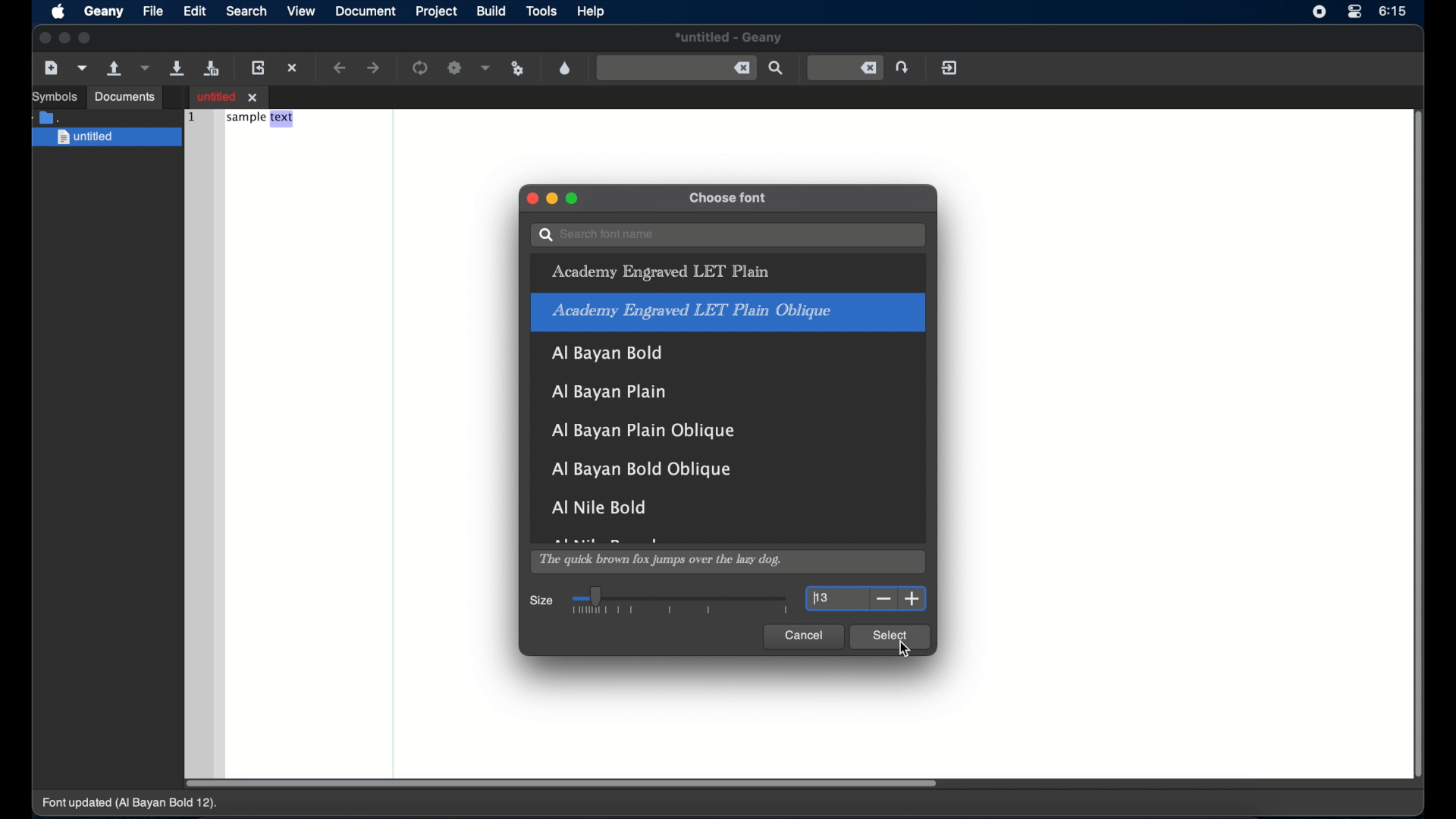 The image size is (1456, 819). I want to click on control center, so click(1354, 12).